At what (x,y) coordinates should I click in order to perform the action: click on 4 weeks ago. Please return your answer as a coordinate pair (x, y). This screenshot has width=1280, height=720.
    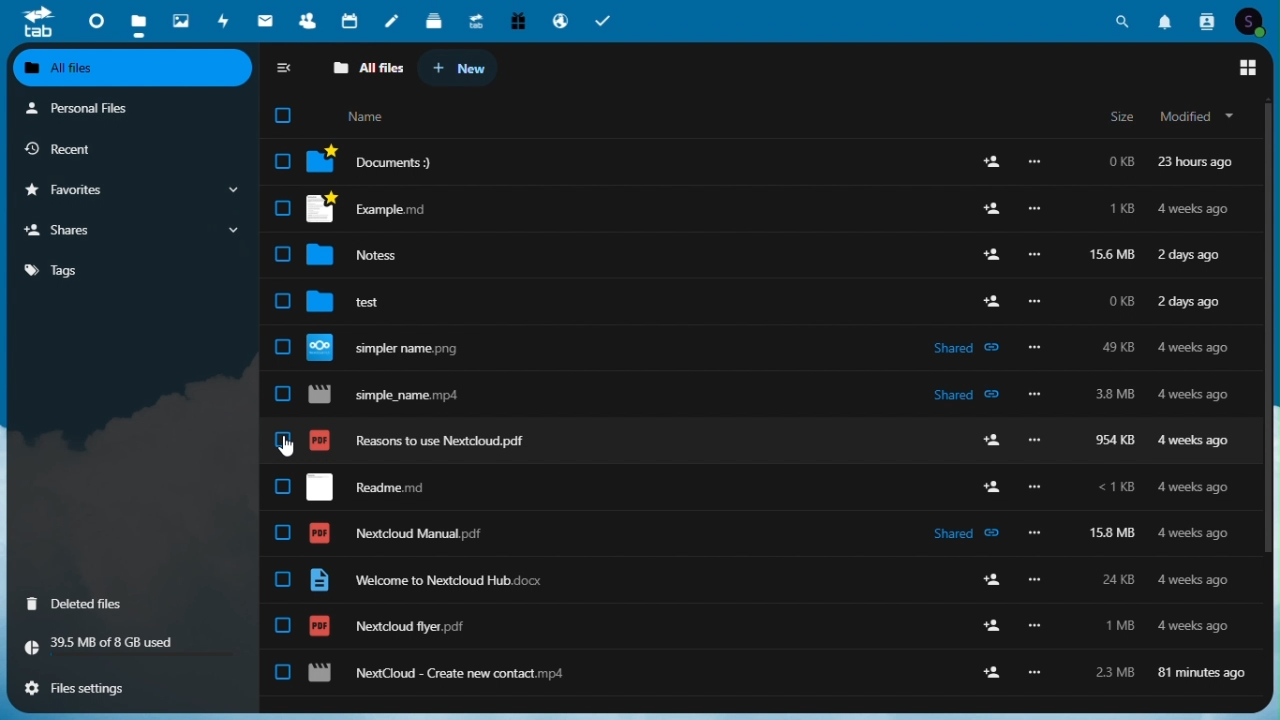
    Looking at the image, I should click on (1192, 624).